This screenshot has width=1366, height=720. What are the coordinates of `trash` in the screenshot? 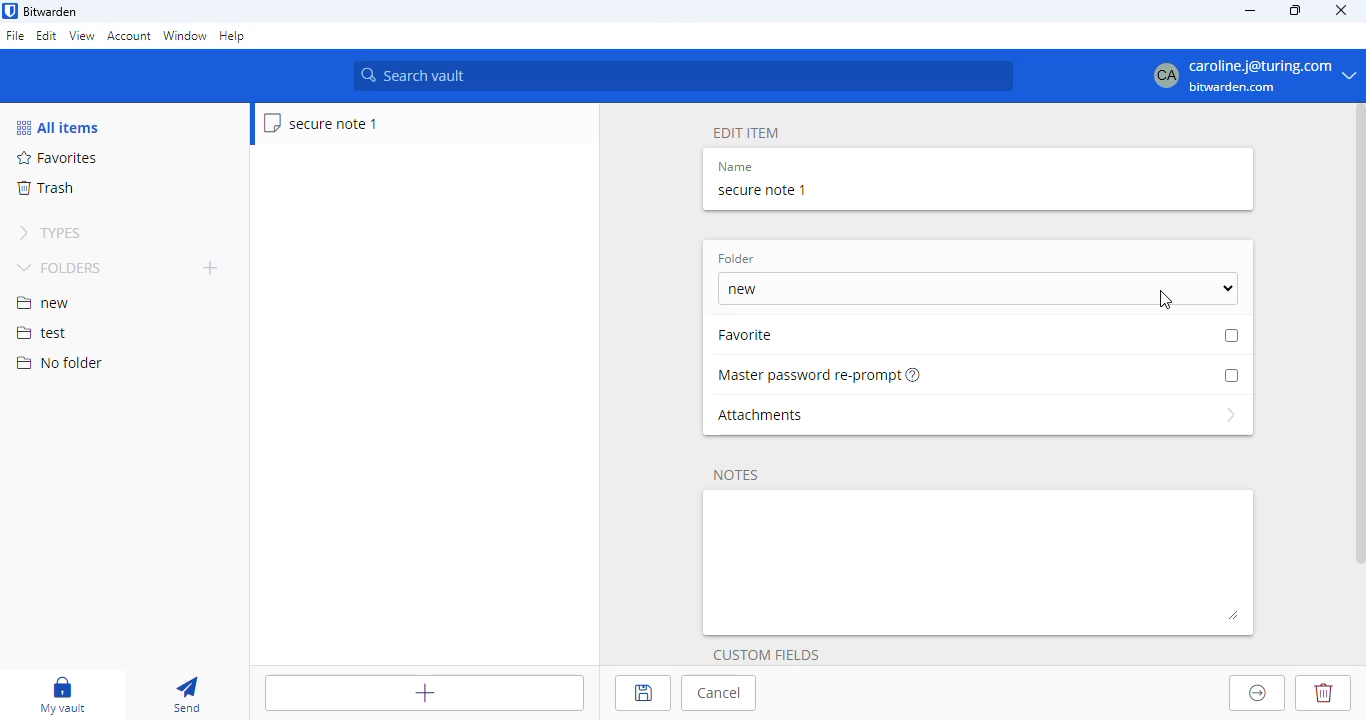 It's located at (44, 188).